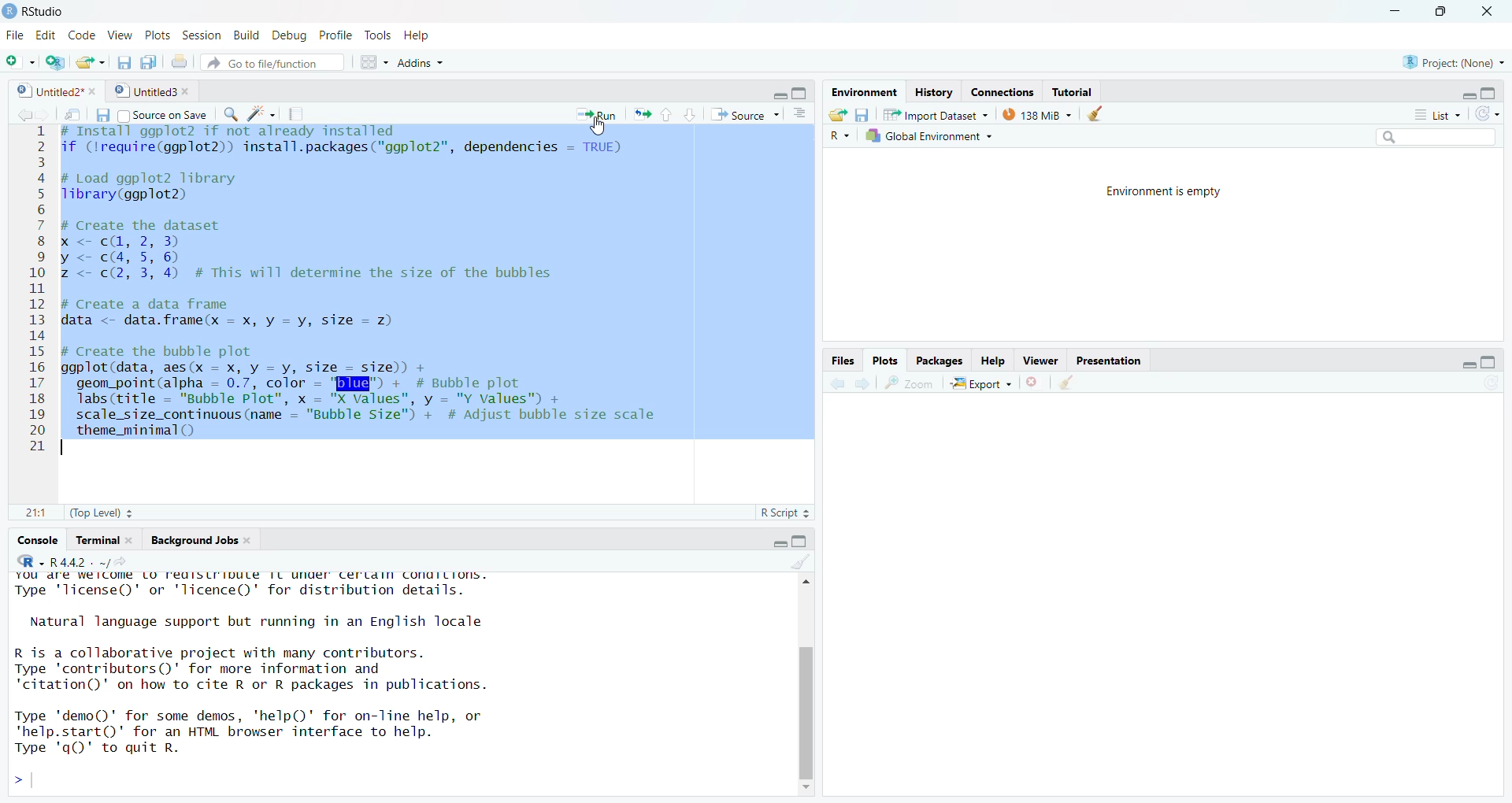 This screenshot has width=1512, height=803. Describe the element at coordinates (1001, 90) in the screenshot. I see `Connections` at that location.